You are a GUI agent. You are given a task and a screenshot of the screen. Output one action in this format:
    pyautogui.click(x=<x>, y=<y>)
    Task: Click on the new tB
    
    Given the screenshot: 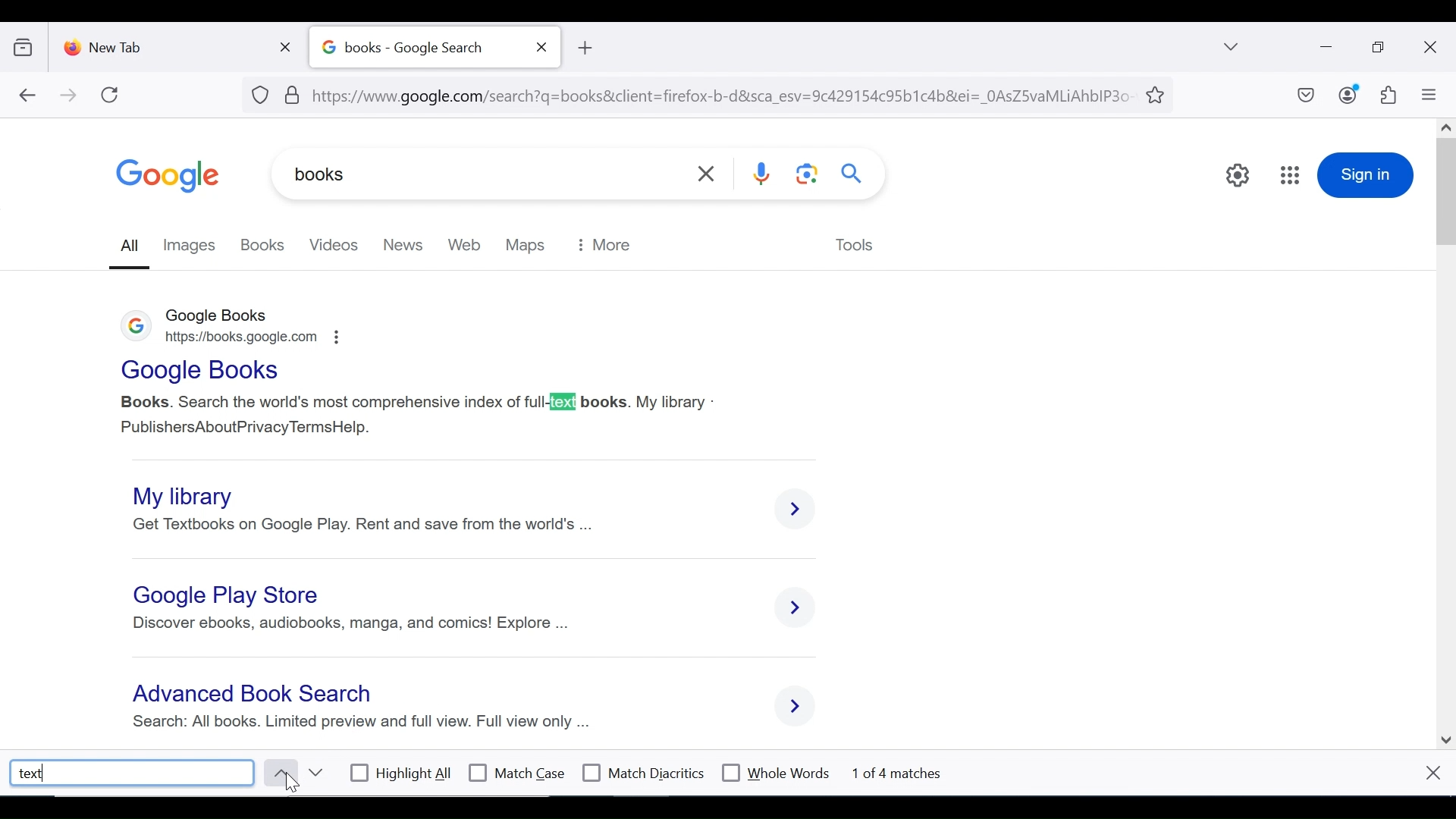 What is the action you would take?
    pyautogui.click(x=584, y=48)
    